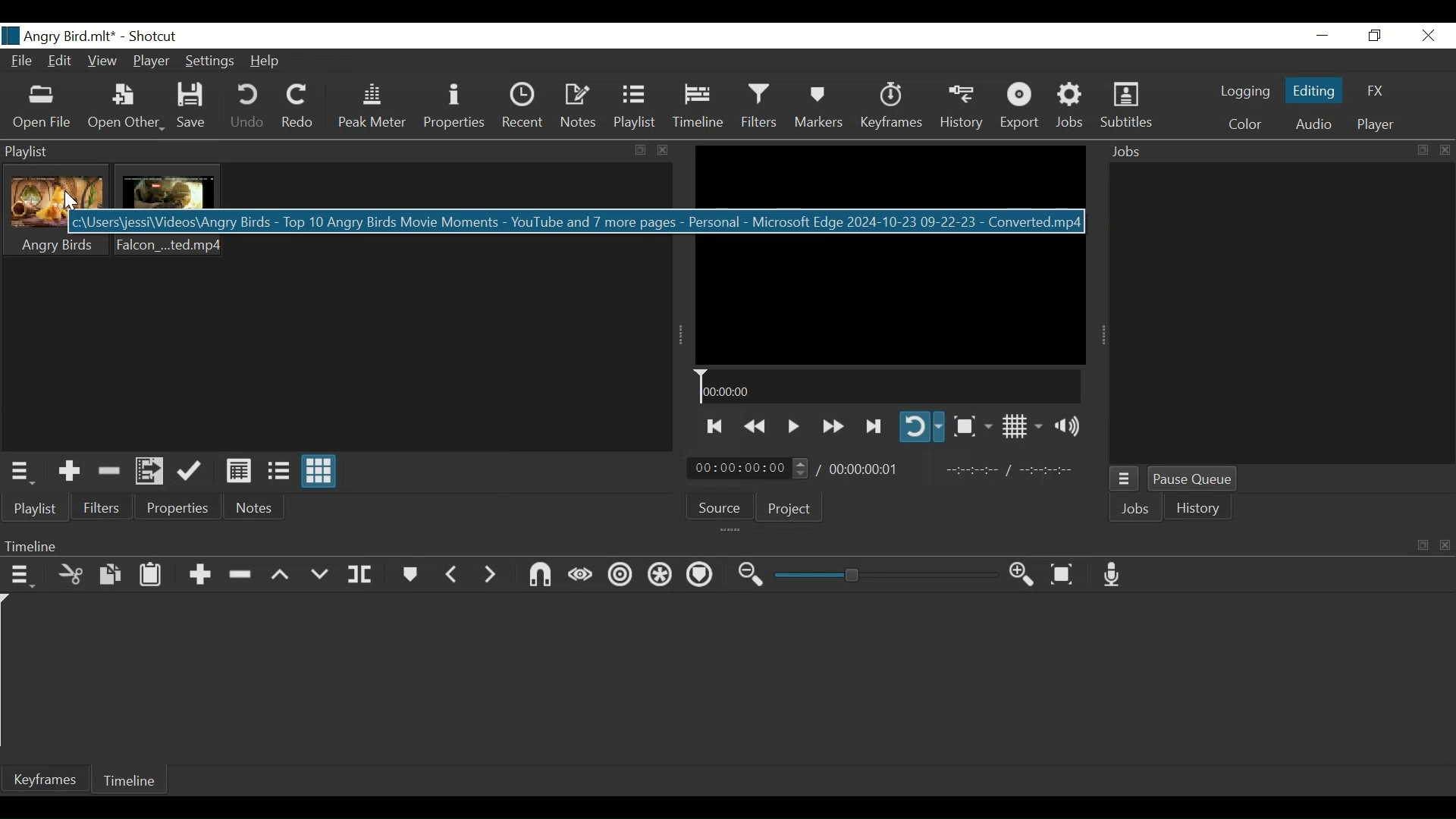 This screenshot has height=819, width=1456. What do you see at coordinates (61, 62) in the screenshot?
I see `Edit` at bounding box center [61, 62].